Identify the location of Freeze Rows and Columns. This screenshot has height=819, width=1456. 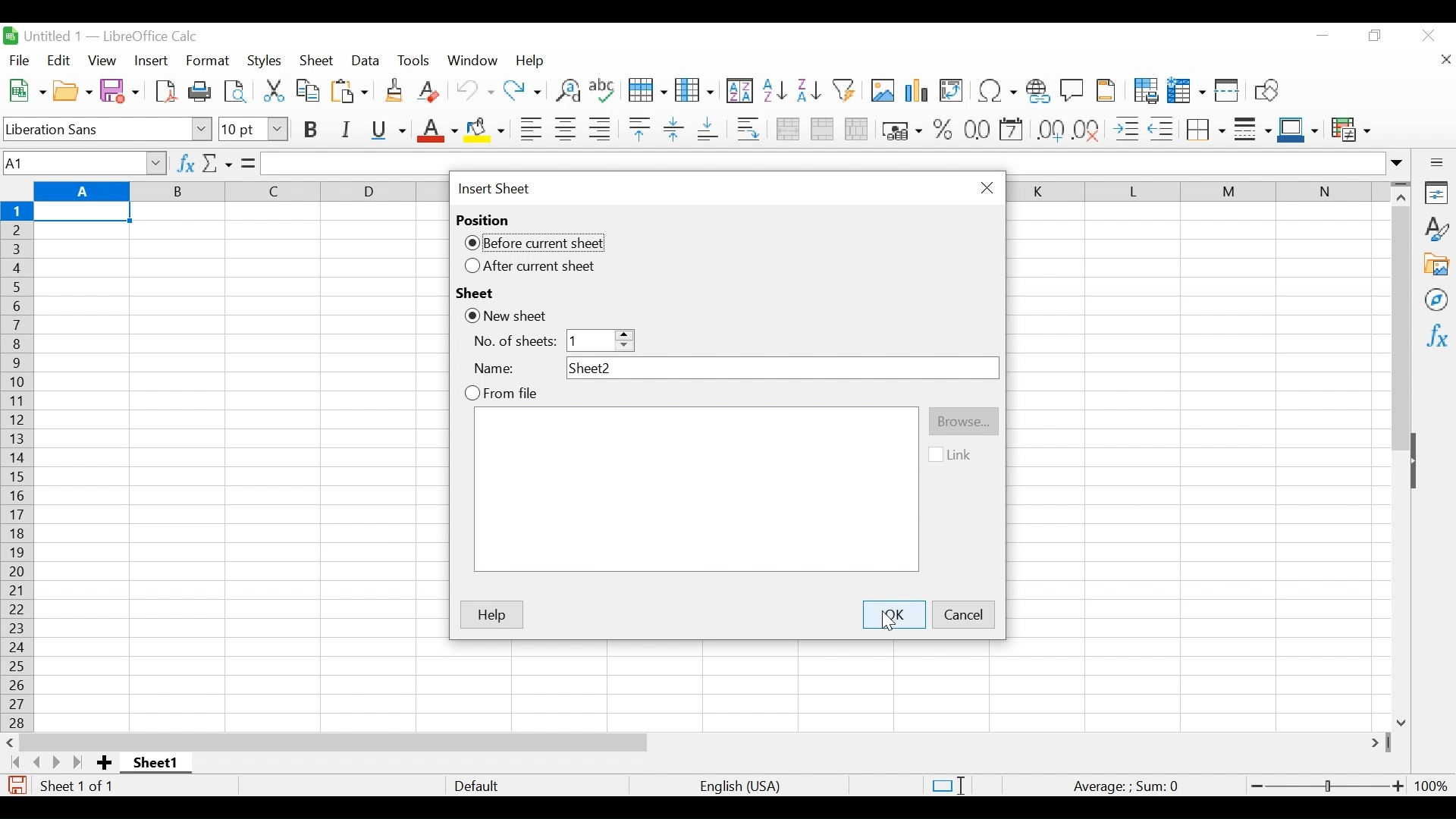
(1186, 90).